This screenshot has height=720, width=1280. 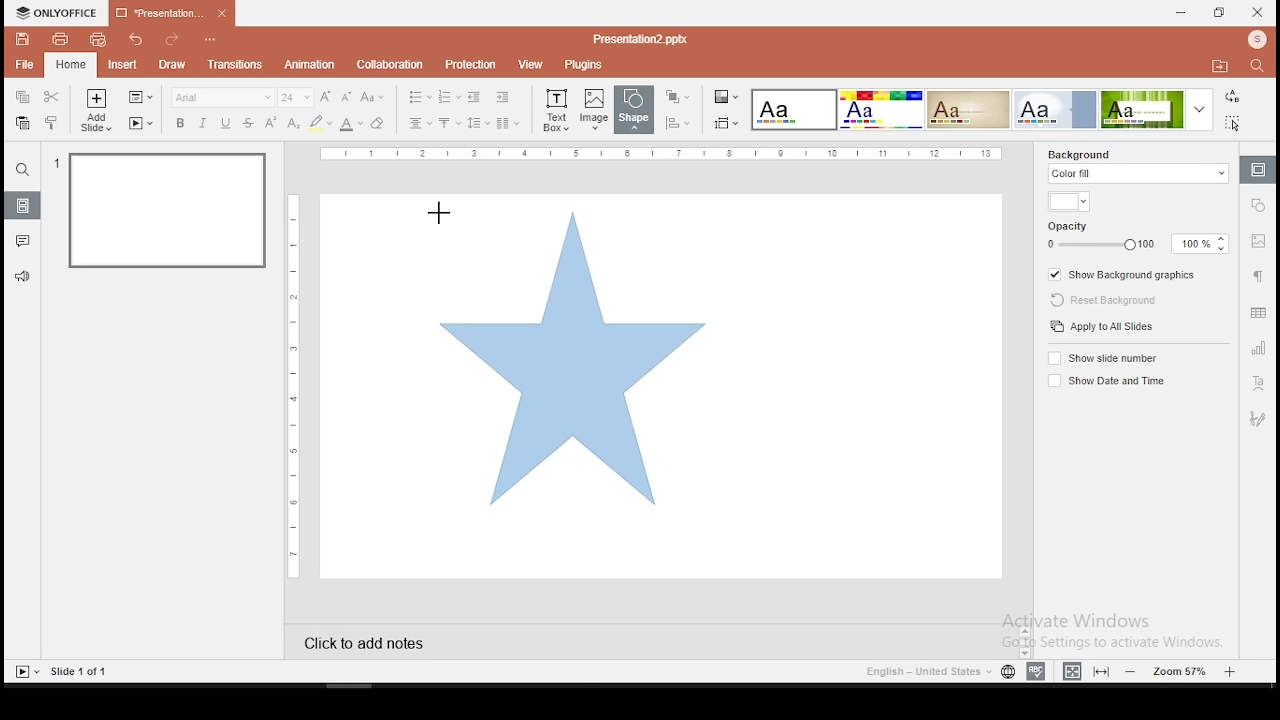 I want to click on mouse pointer, so click(x=440, y=212).